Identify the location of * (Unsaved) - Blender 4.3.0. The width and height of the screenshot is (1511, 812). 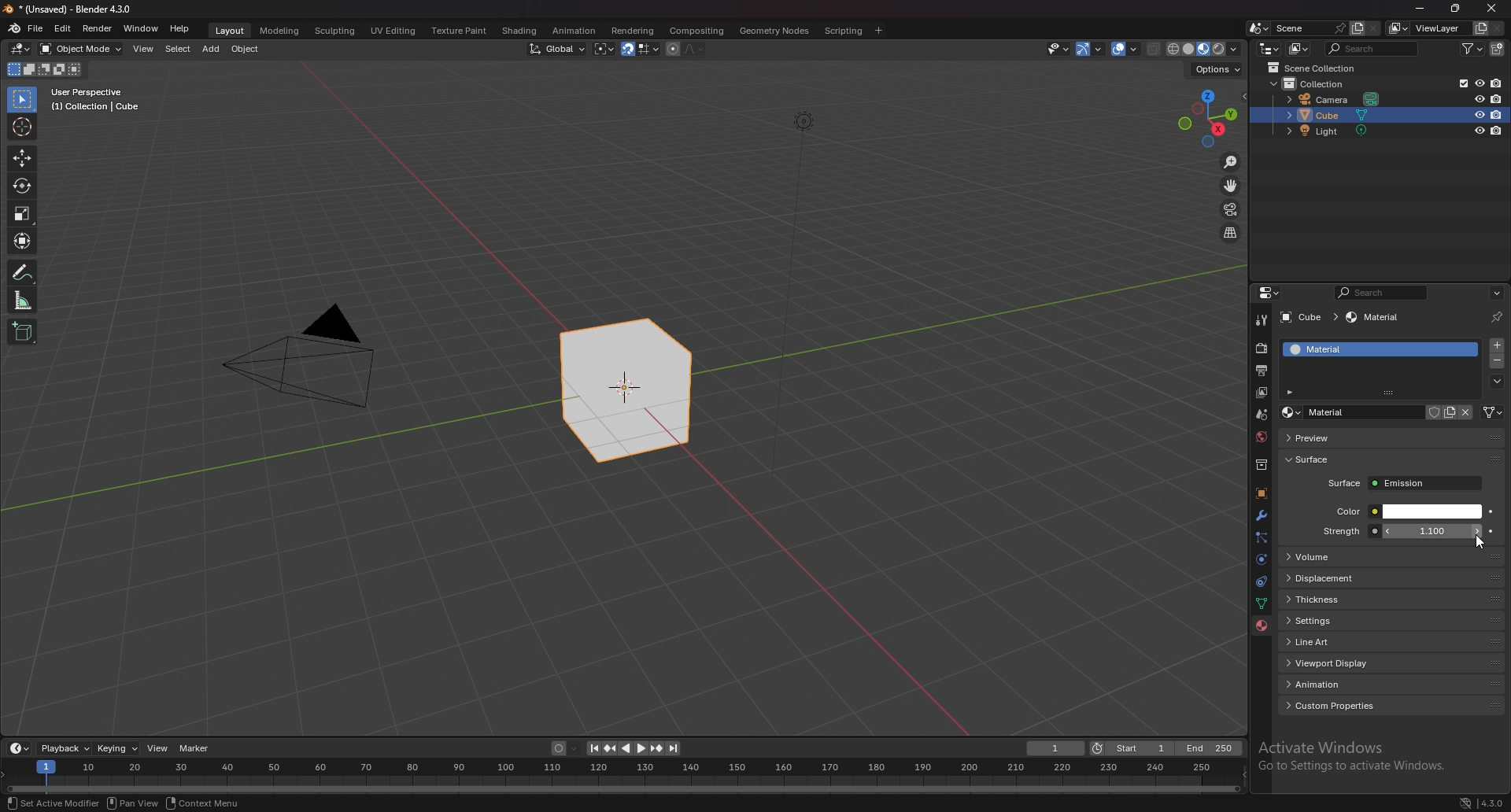
(79, 9).